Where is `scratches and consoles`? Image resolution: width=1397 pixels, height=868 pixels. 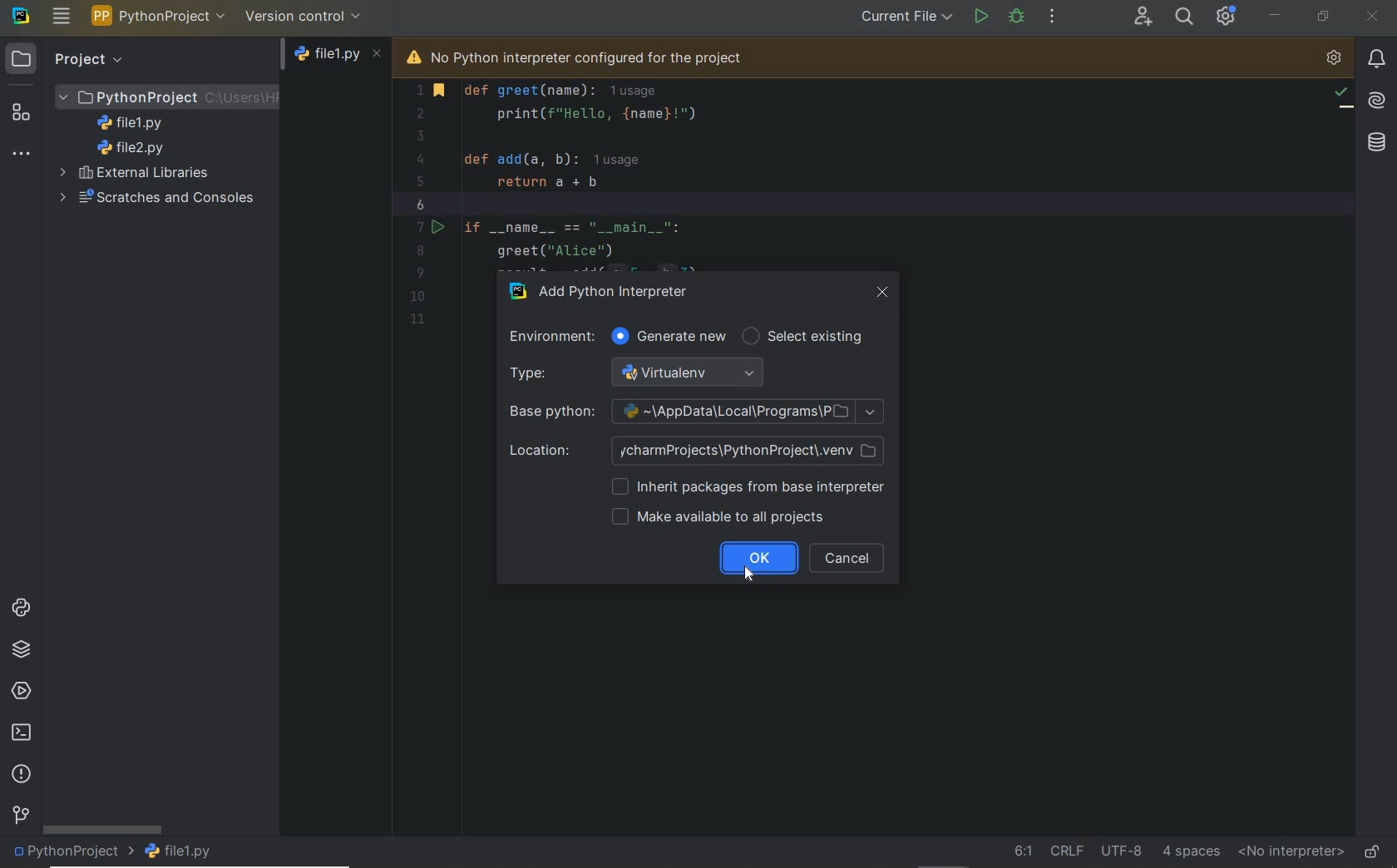 scratches and consoles is located at coordinates (152, 199).